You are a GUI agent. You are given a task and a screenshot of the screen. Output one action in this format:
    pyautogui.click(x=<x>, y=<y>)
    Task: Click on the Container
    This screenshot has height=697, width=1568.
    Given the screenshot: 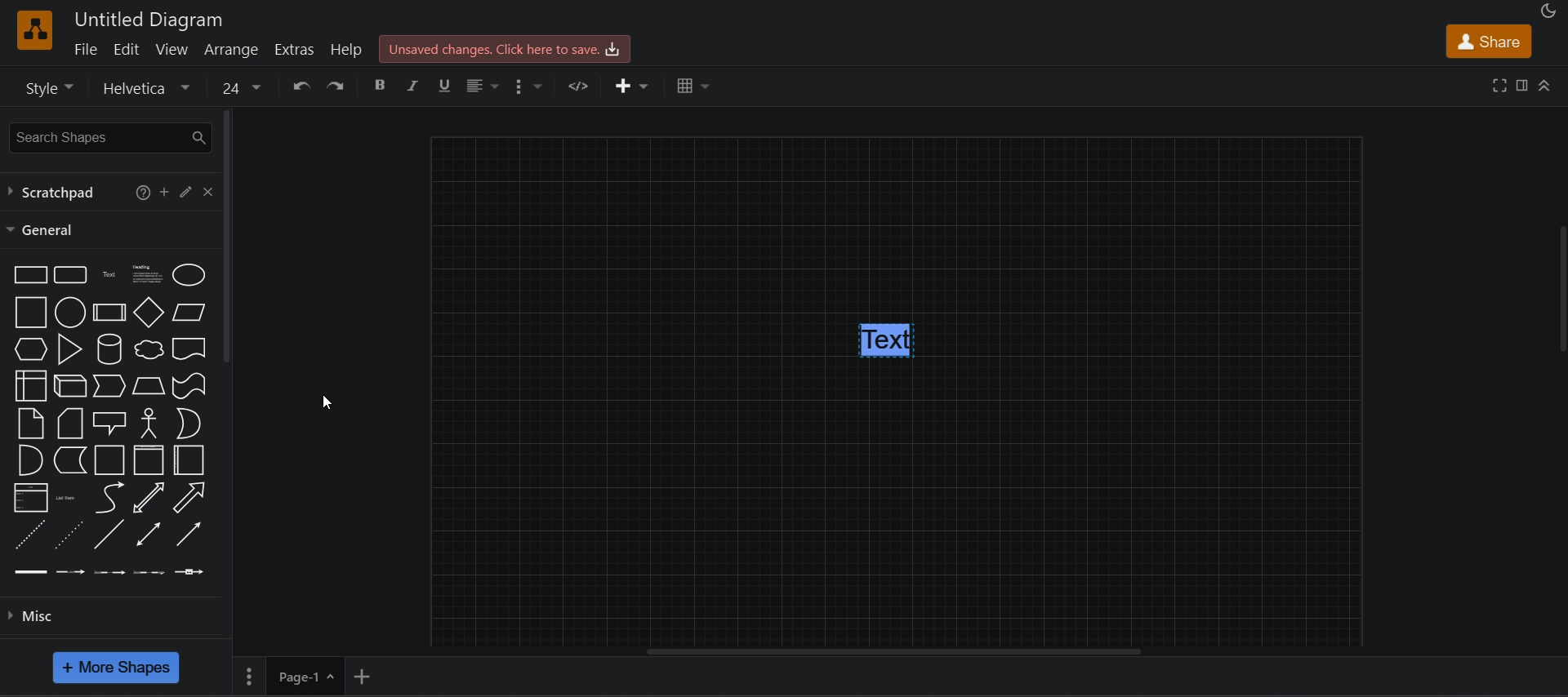 What is the action you would take?
    pyautogui.click(x=149, y=460)
    